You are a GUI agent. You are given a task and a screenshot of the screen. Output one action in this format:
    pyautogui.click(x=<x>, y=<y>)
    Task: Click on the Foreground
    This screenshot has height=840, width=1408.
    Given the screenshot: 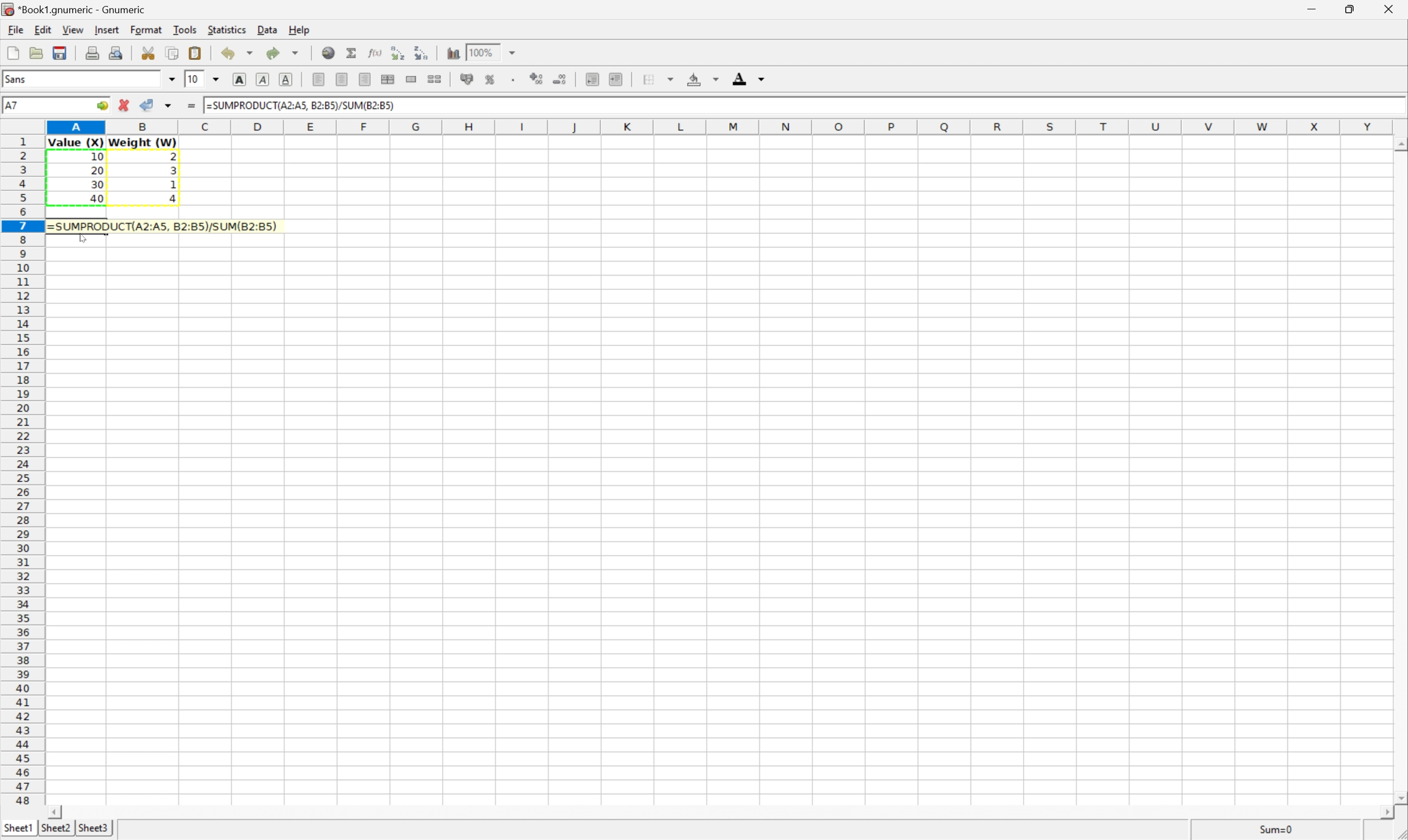 What is the action you would take?
    pyautogui.click(x=752, y=78)
    